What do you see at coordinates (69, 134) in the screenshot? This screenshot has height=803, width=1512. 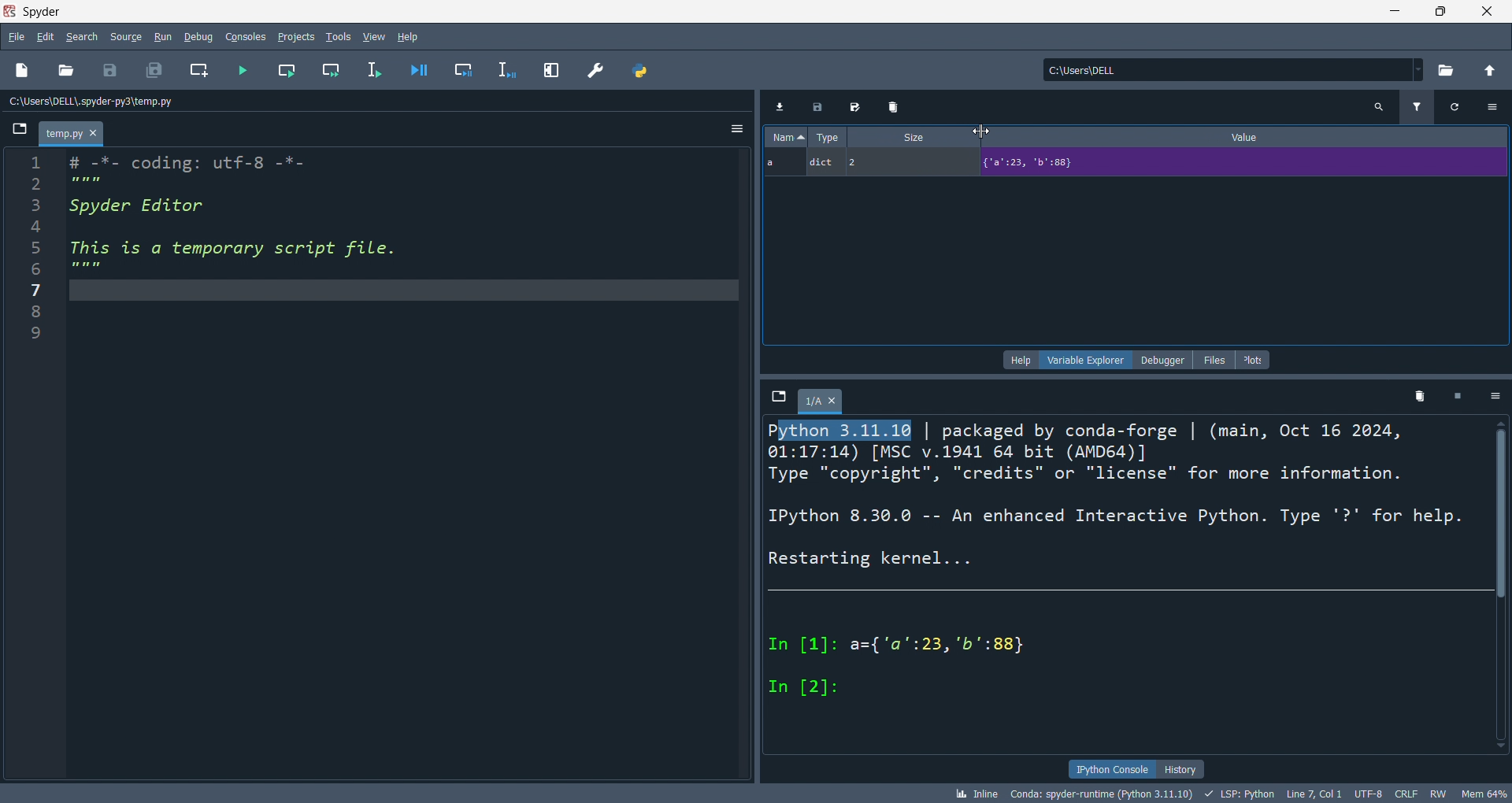 I see `tab` at bounding box center [69, 134].